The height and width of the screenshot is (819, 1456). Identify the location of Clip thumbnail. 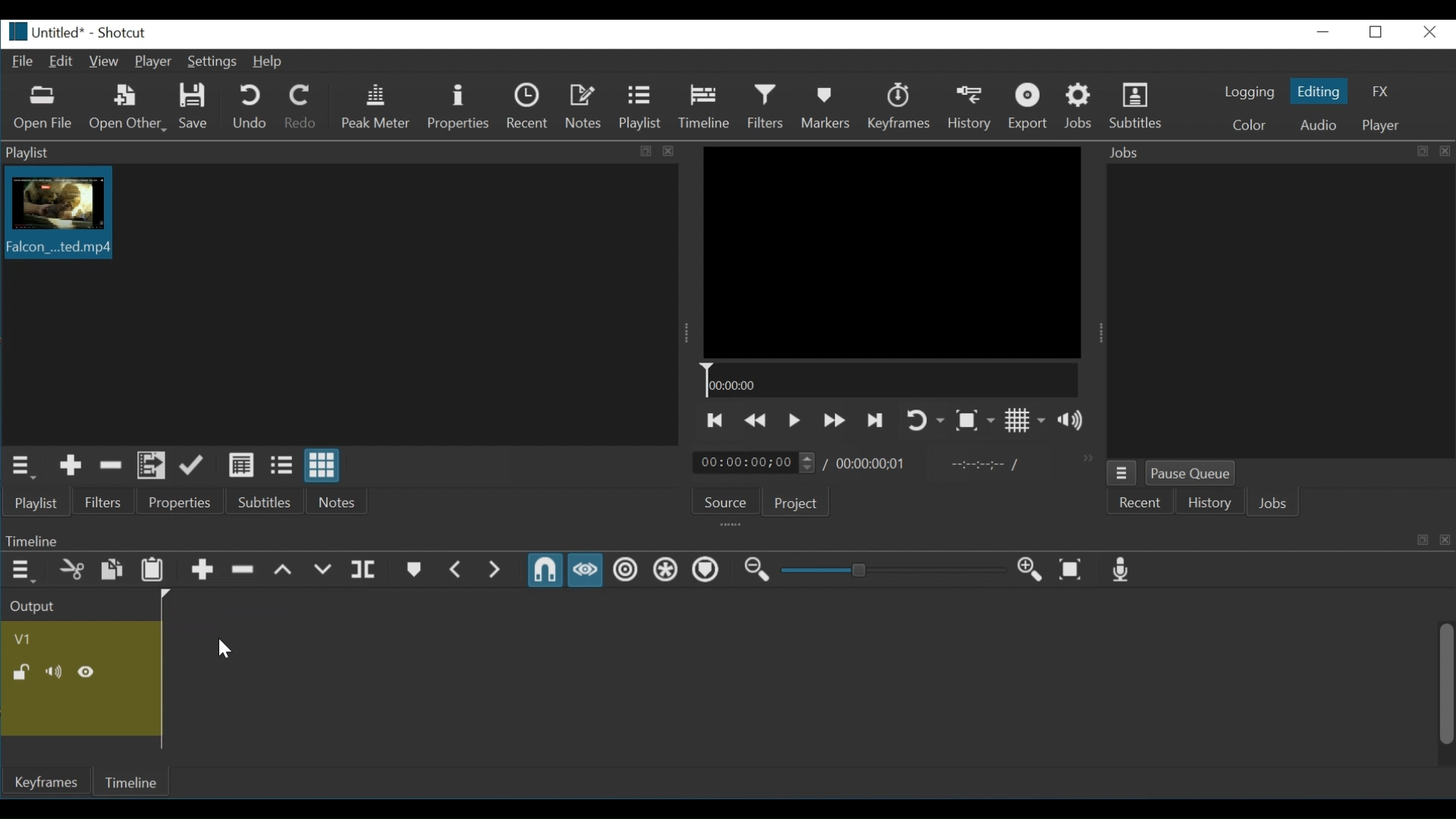
(70, 216).